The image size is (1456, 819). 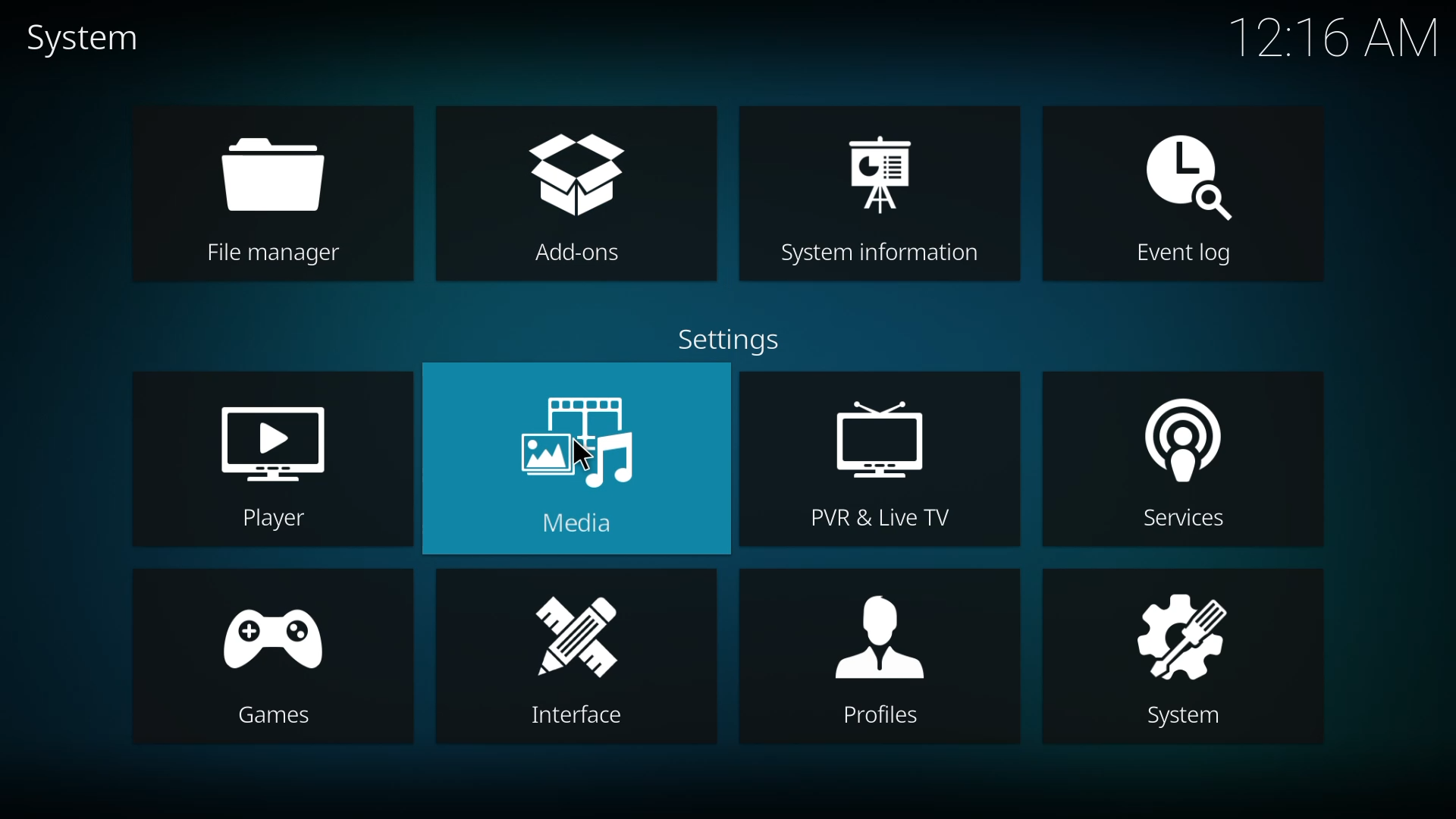 I want to click on Add-ons, so click(x=572, y=255).